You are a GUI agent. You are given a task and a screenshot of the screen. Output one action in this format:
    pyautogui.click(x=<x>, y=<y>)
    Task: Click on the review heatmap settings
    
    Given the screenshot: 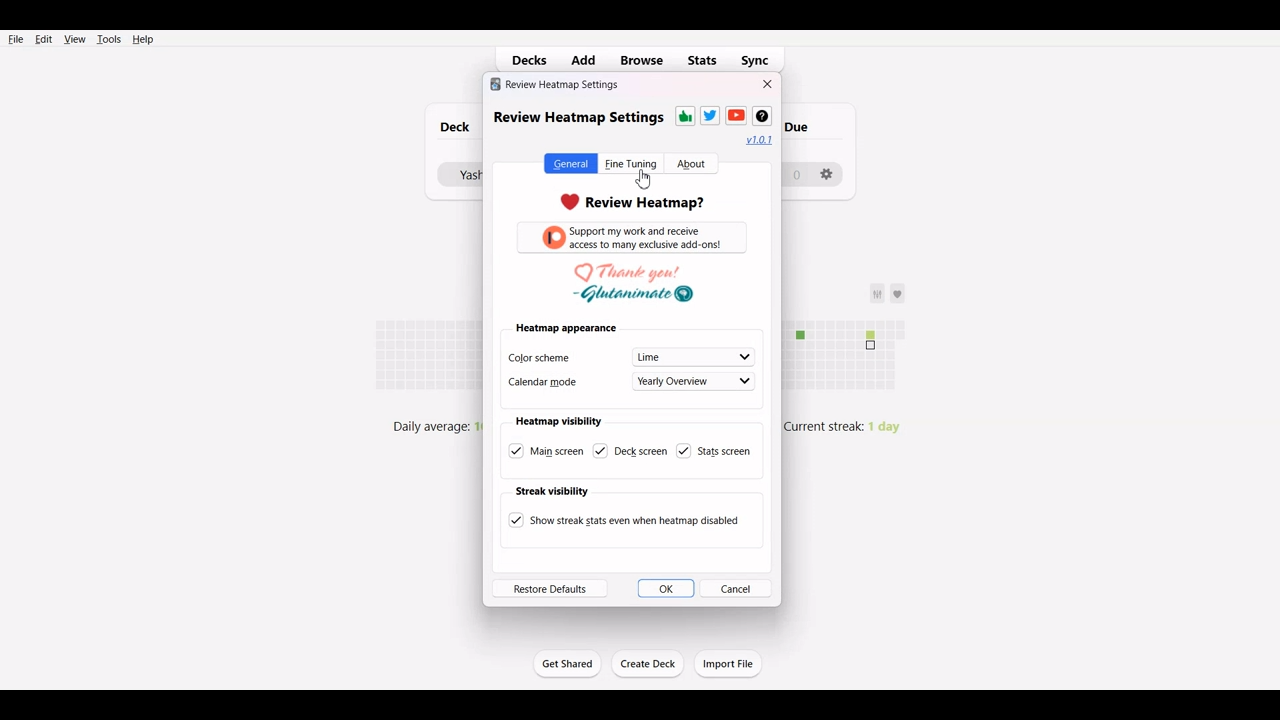 What is the action you would take?
    pyautogui.click(x=577, y=117)
    